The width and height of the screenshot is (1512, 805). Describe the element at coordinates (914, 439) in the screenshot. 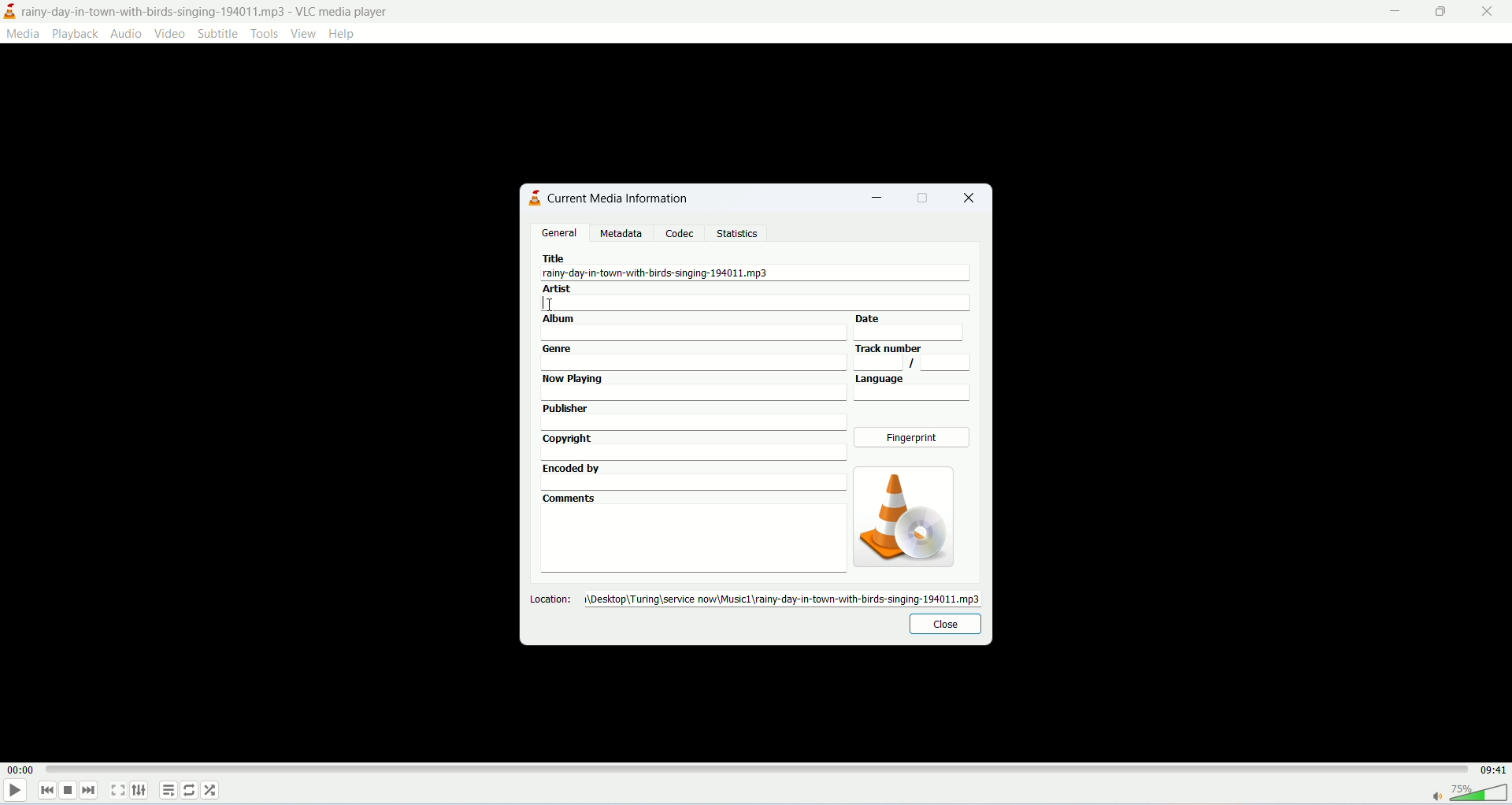

I see `fingerprint` at that location.